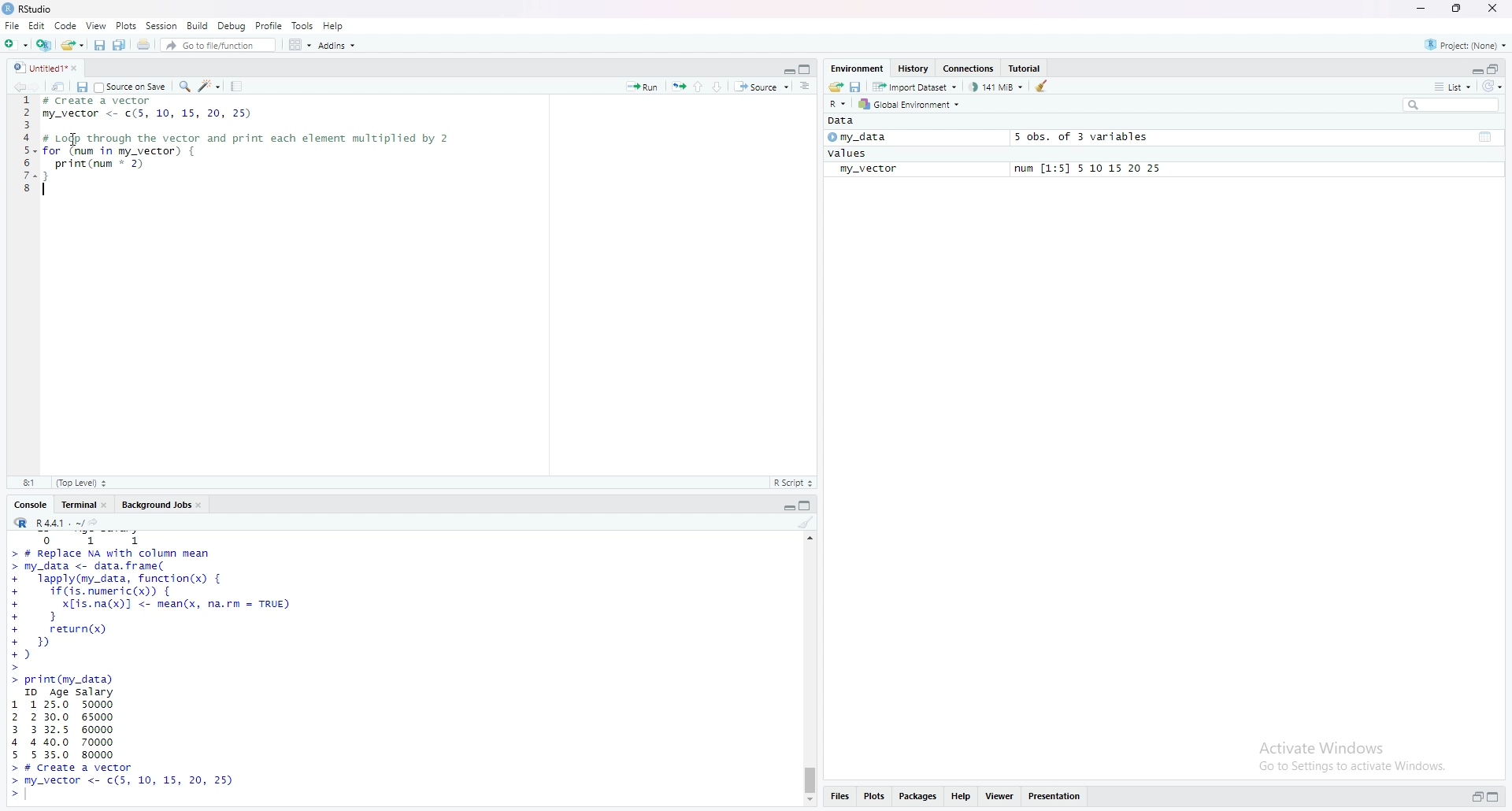 This screenshot has height=811, width=1512. I want to click on rerun the previous code region, so click(677, 84).